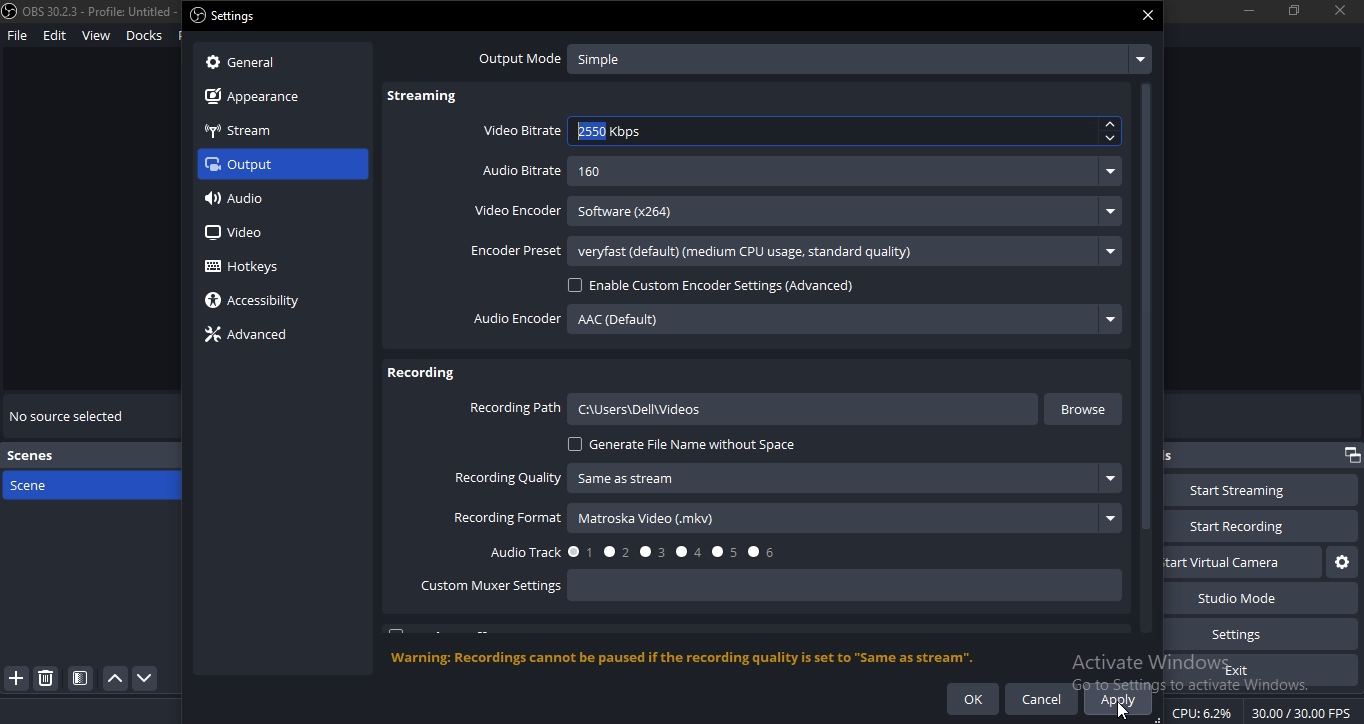 The width and height of the screenshot is (1364, 724). What do you see at coordinates (843, 252) in the screenshot?
I see `veryfast (default) (medium CPU usage. standard quality)` at bounding box center [843, 252].